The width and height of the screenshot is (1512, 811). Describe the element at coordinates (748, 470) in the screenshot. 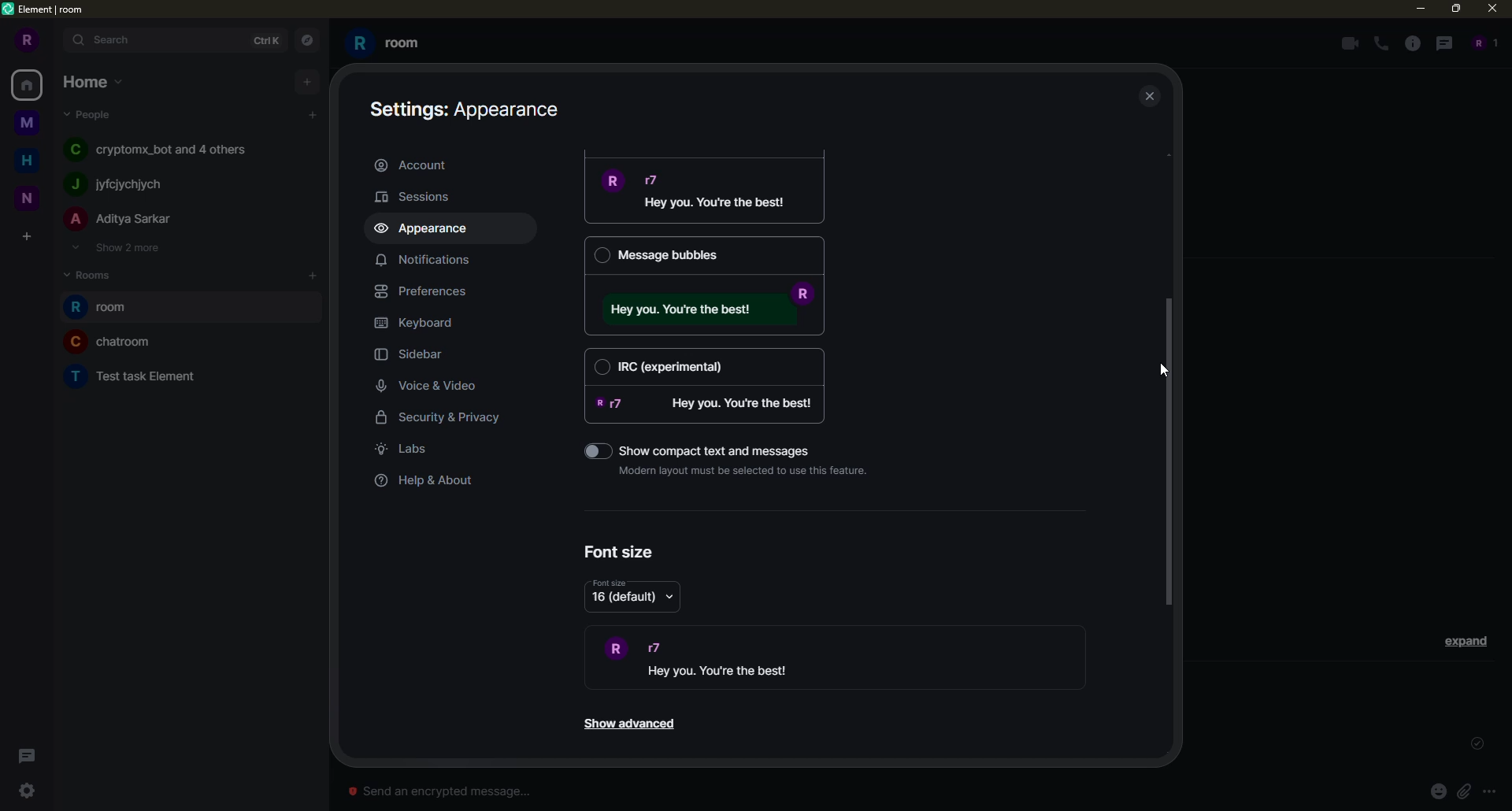

I see `Modern layout must be selected to use this feature.` at that location.